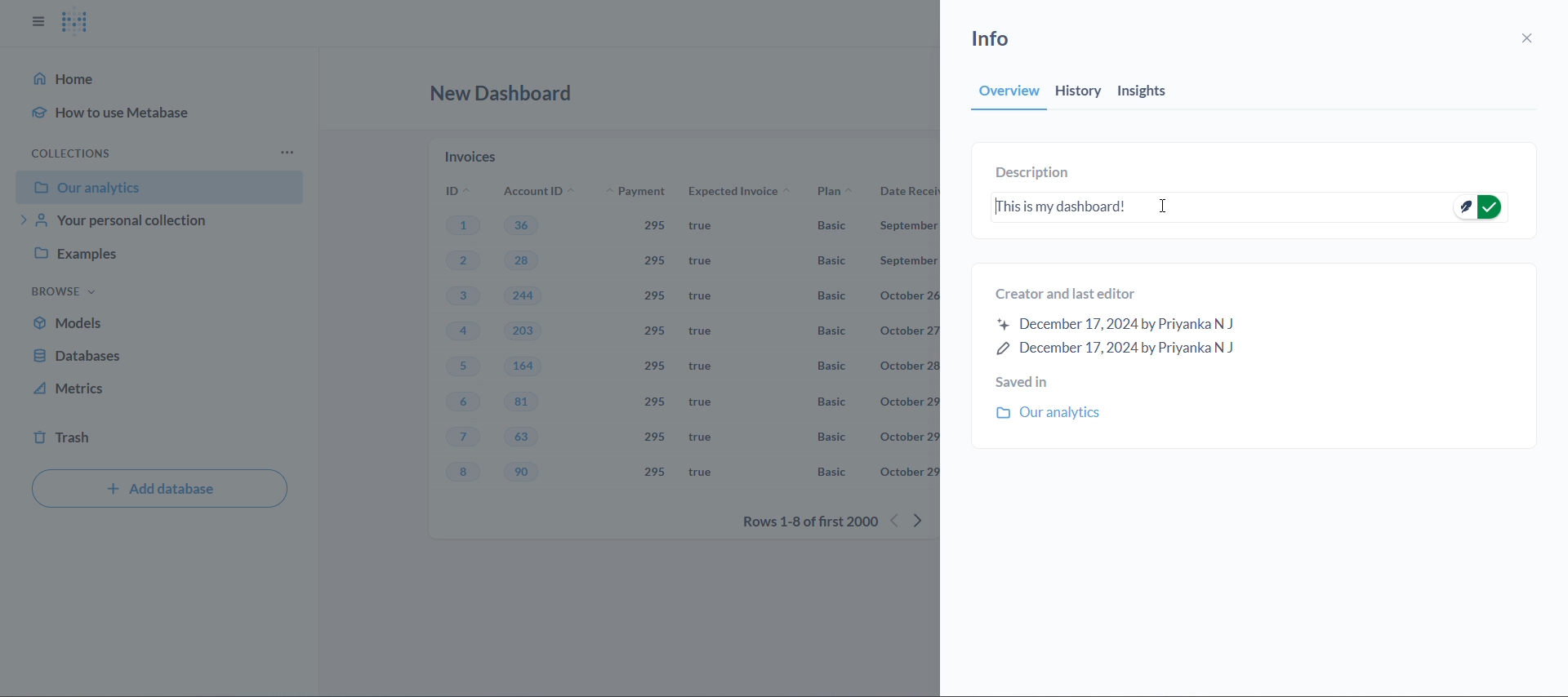  I want to click on saved in, so click(1048, 381).